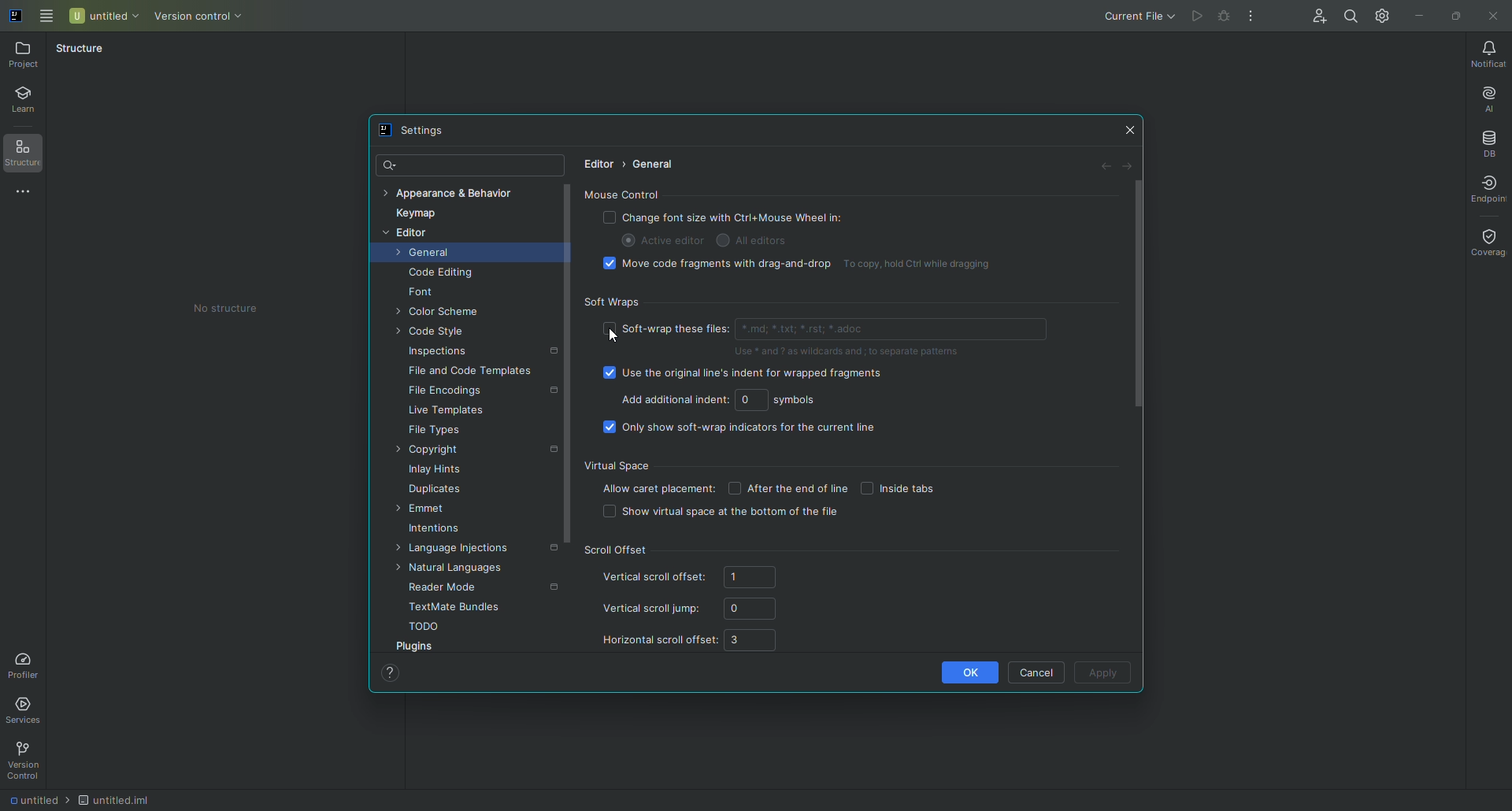 The width and height of the screenshot is (1512, 811). Describe the element at coordinates (420, 648) in the screenshot. I see `Plugins` at that location.